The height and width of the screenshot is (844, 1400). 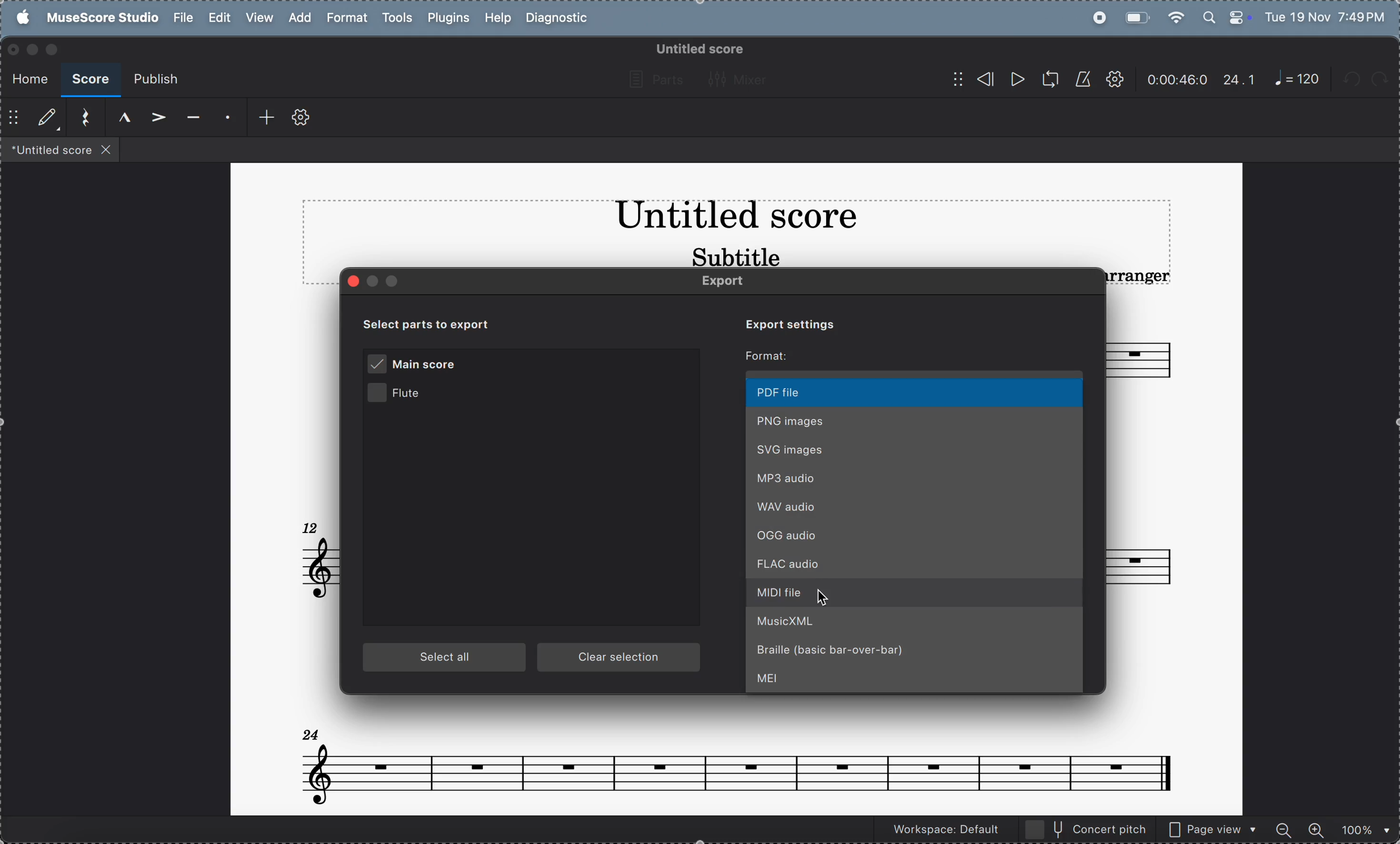 What do you see at coordinates (301, 118) in the screenshot?
I see `toolbar settings` at bounding box center [301, 118].